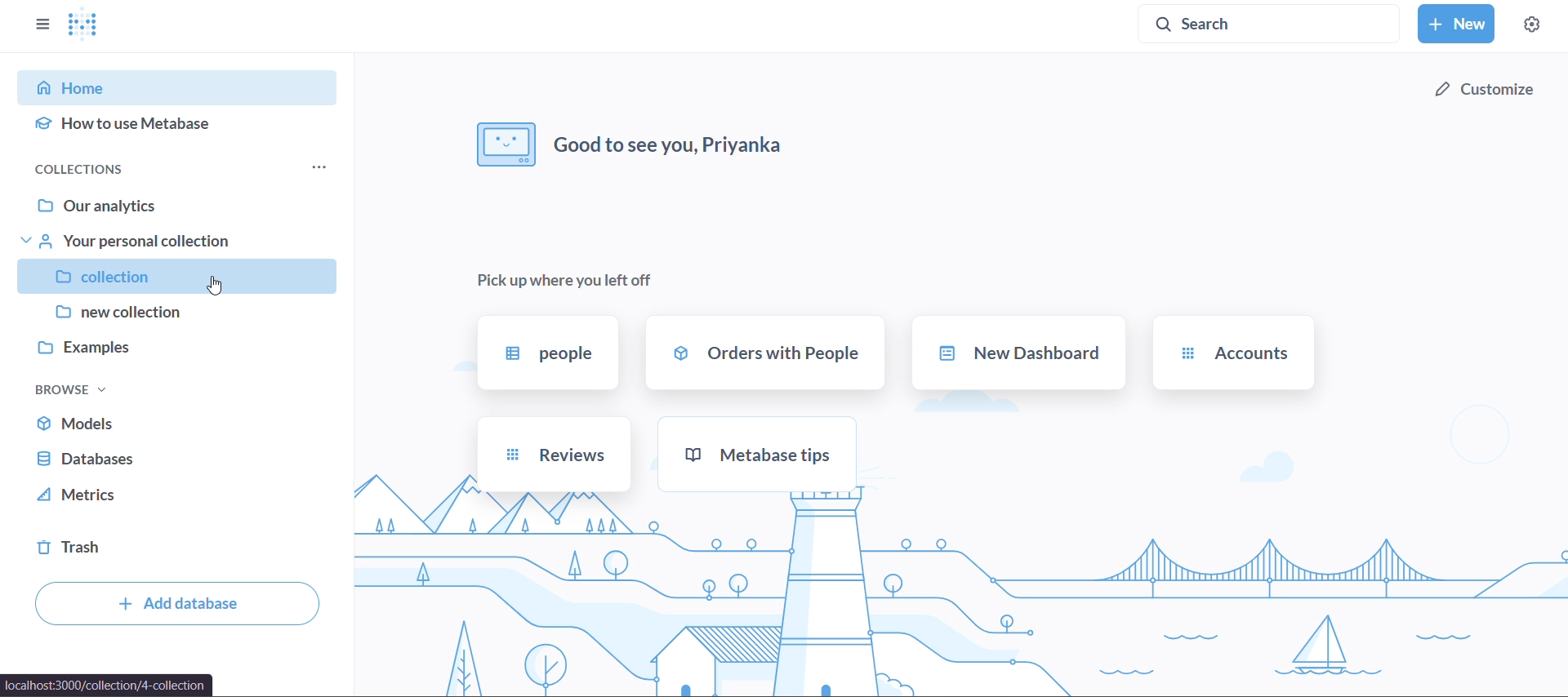 This screenshot has height=697, width=1568. What do you see at coordinates (179, 87) in the screenshot?
I see `home` at bounding box center [179, 87].